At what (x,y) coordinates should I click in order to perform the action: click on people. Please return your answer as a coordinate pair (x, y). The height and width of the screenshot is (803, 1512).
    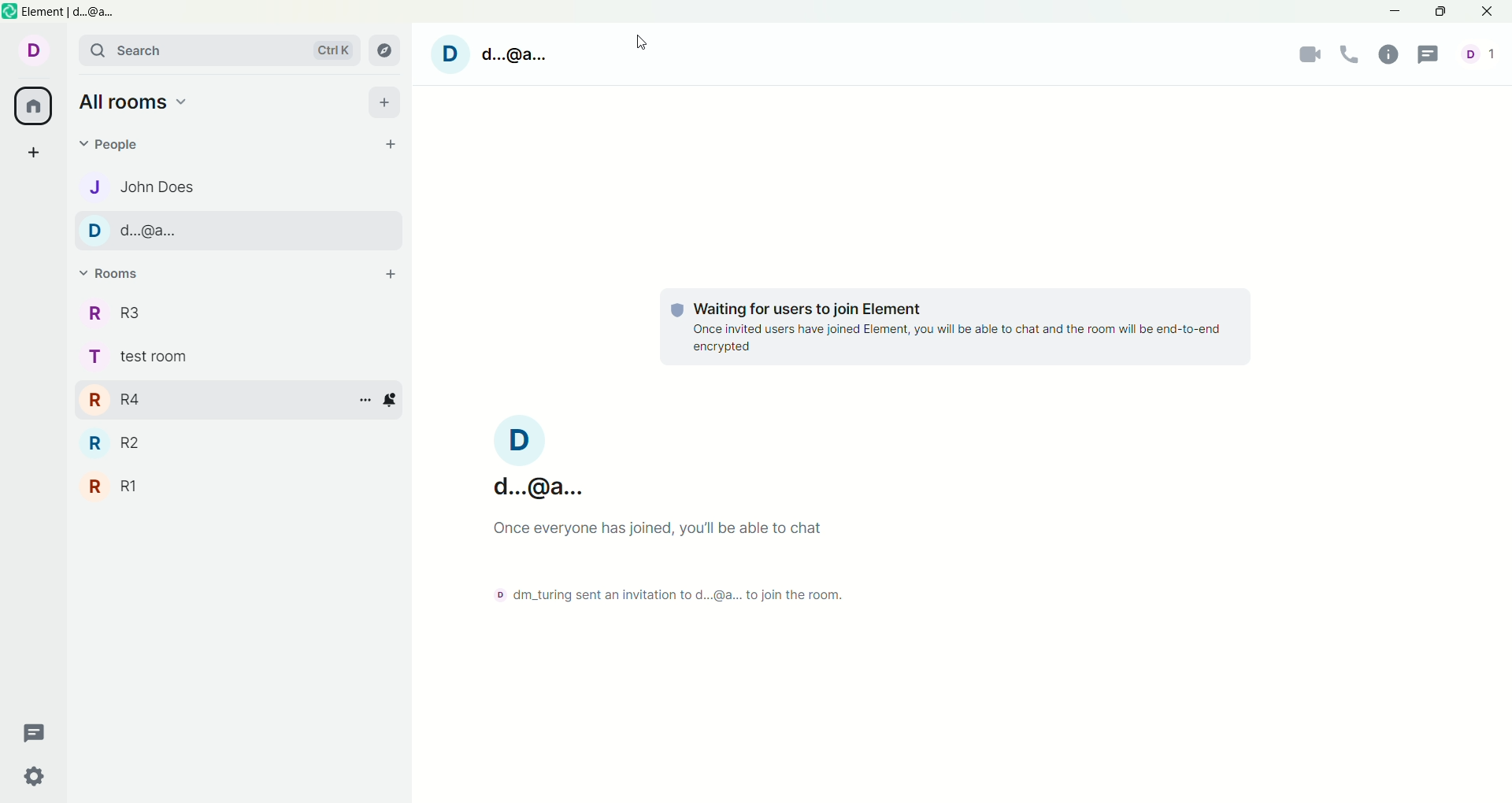
    Looking at the image, I should click on (117, 146).